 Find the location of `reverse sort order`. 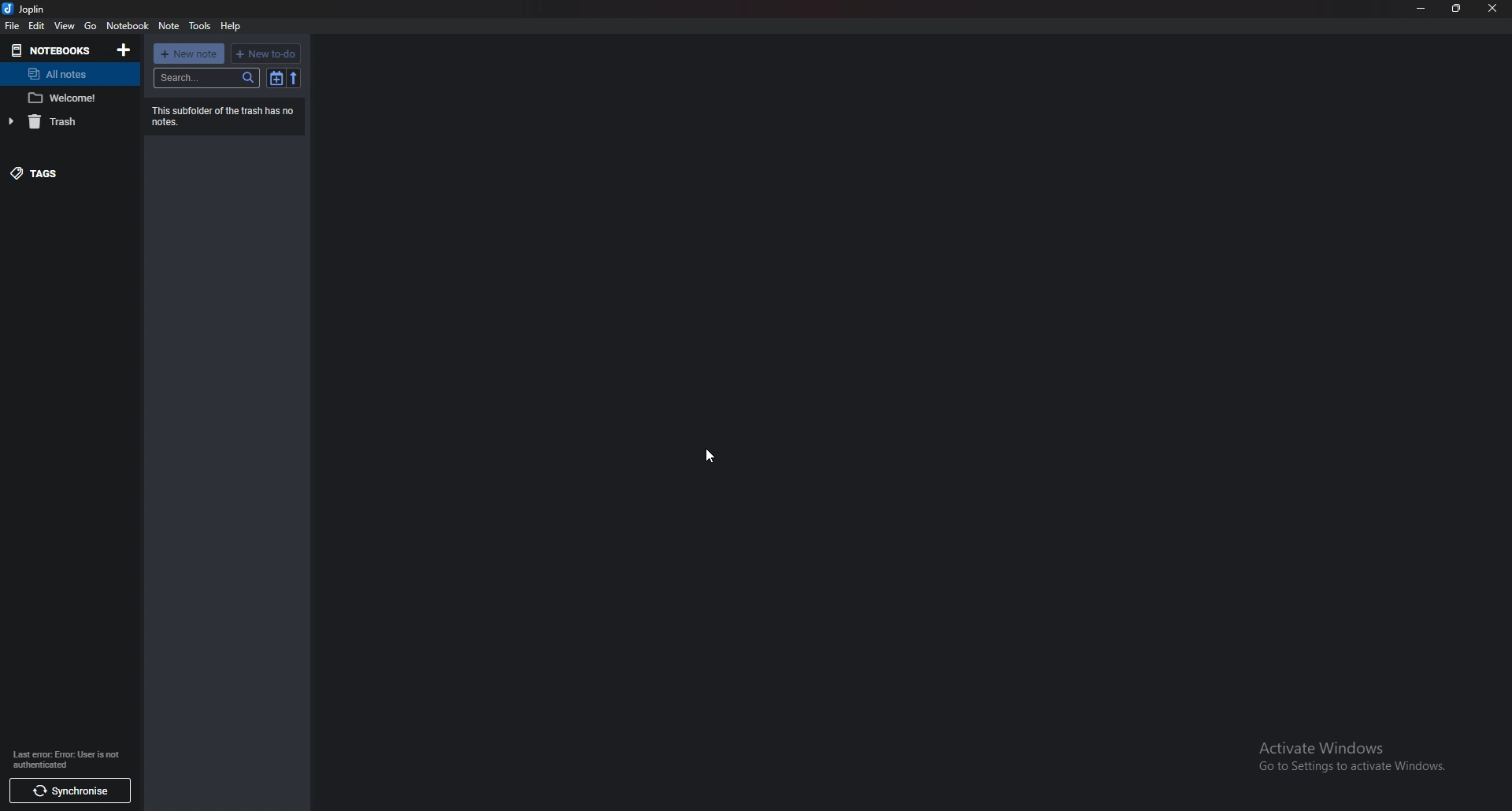

reverse sort order is located at coordinates (294, 77).